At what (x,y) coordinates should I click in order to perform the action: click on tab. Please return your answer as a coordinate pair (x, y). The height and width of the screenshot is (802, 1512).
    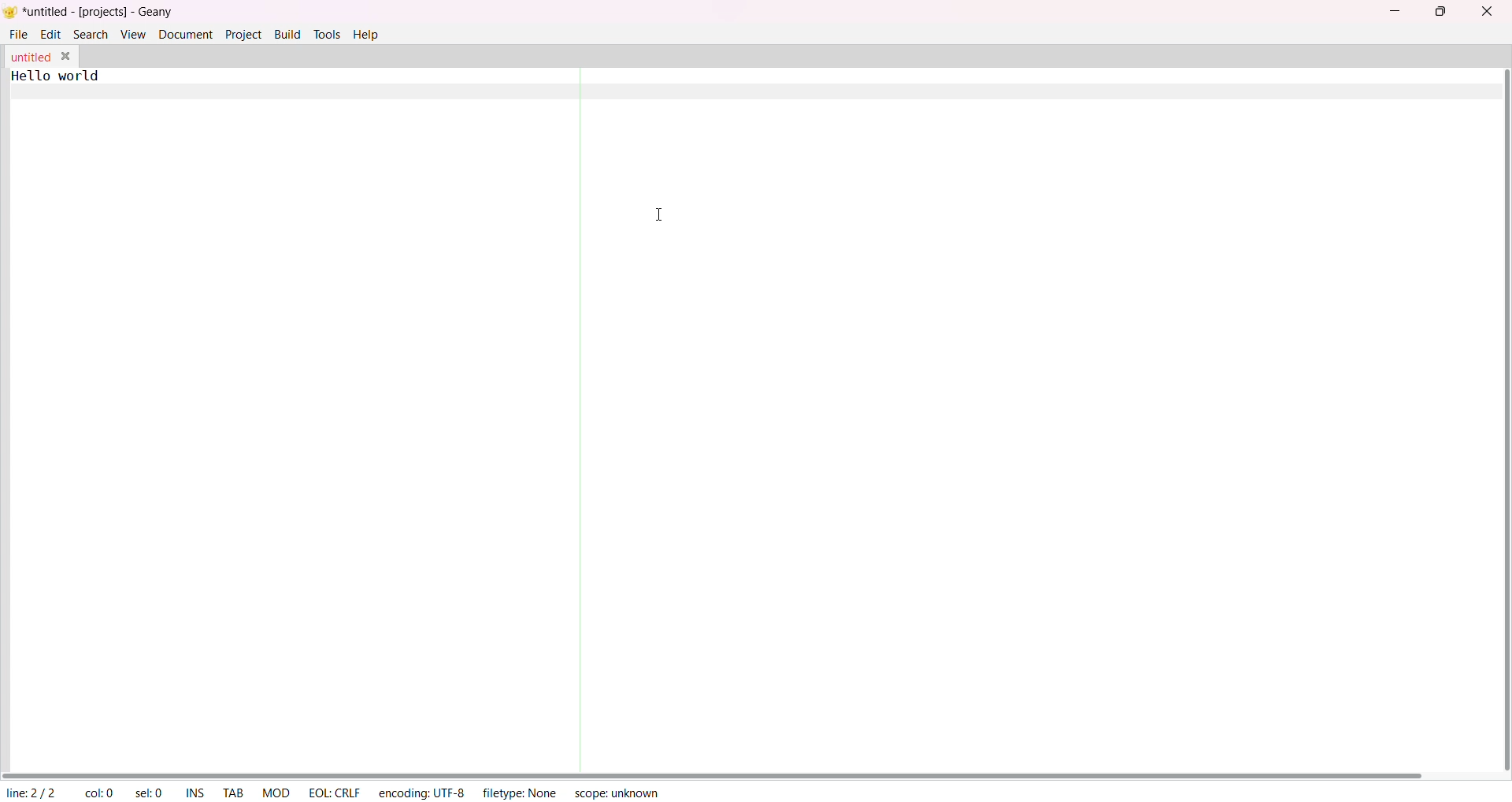
    Looking at the image, I should click on (234, 794).